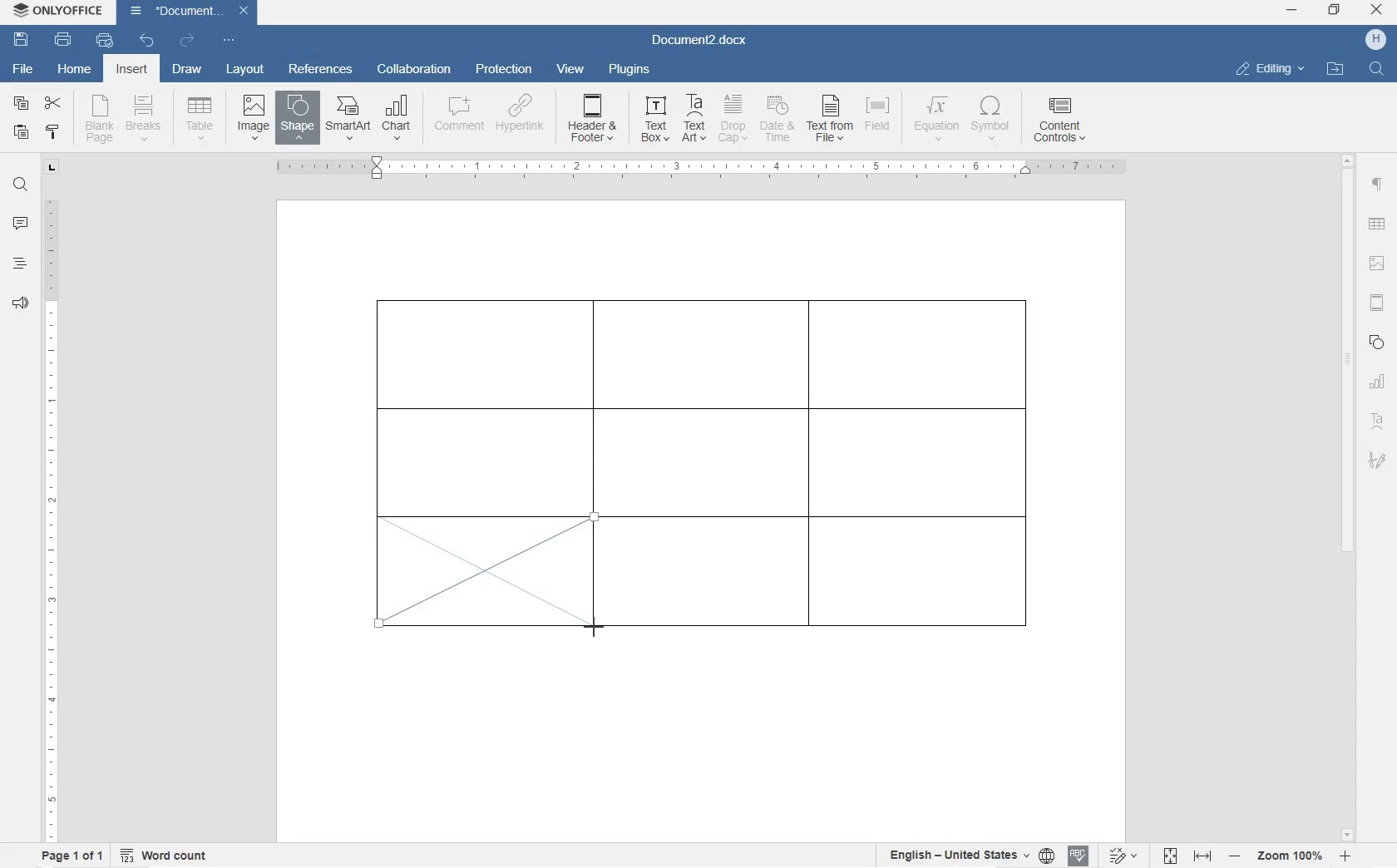 The image size is (1397, 868). I want to click on home, so click(76, 70).